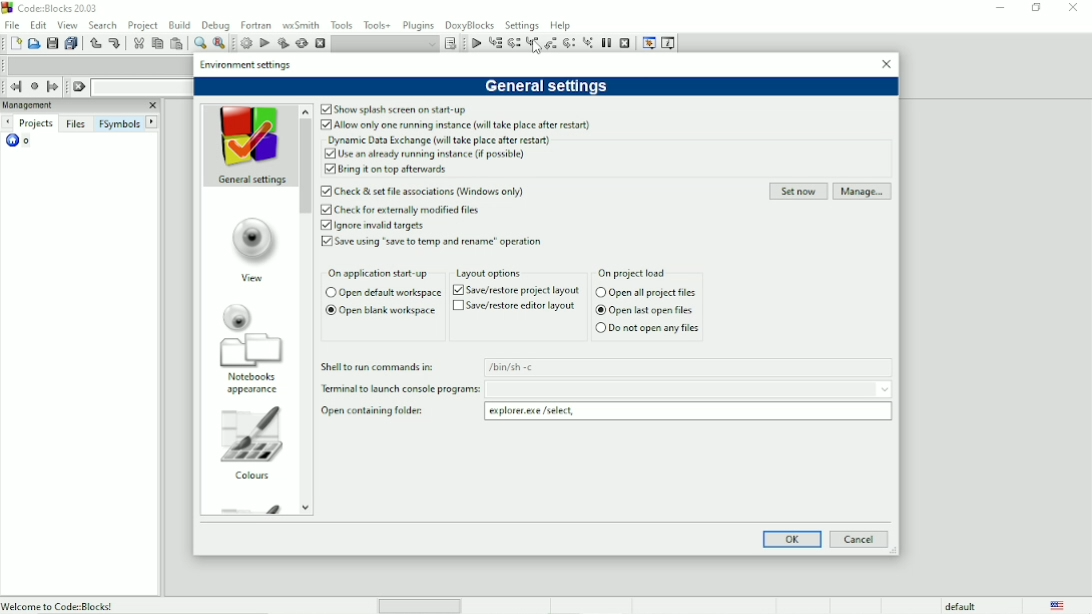  Describe the element at coordinates (379, 274) in the screenshot. I see `On application start-up` at that location.